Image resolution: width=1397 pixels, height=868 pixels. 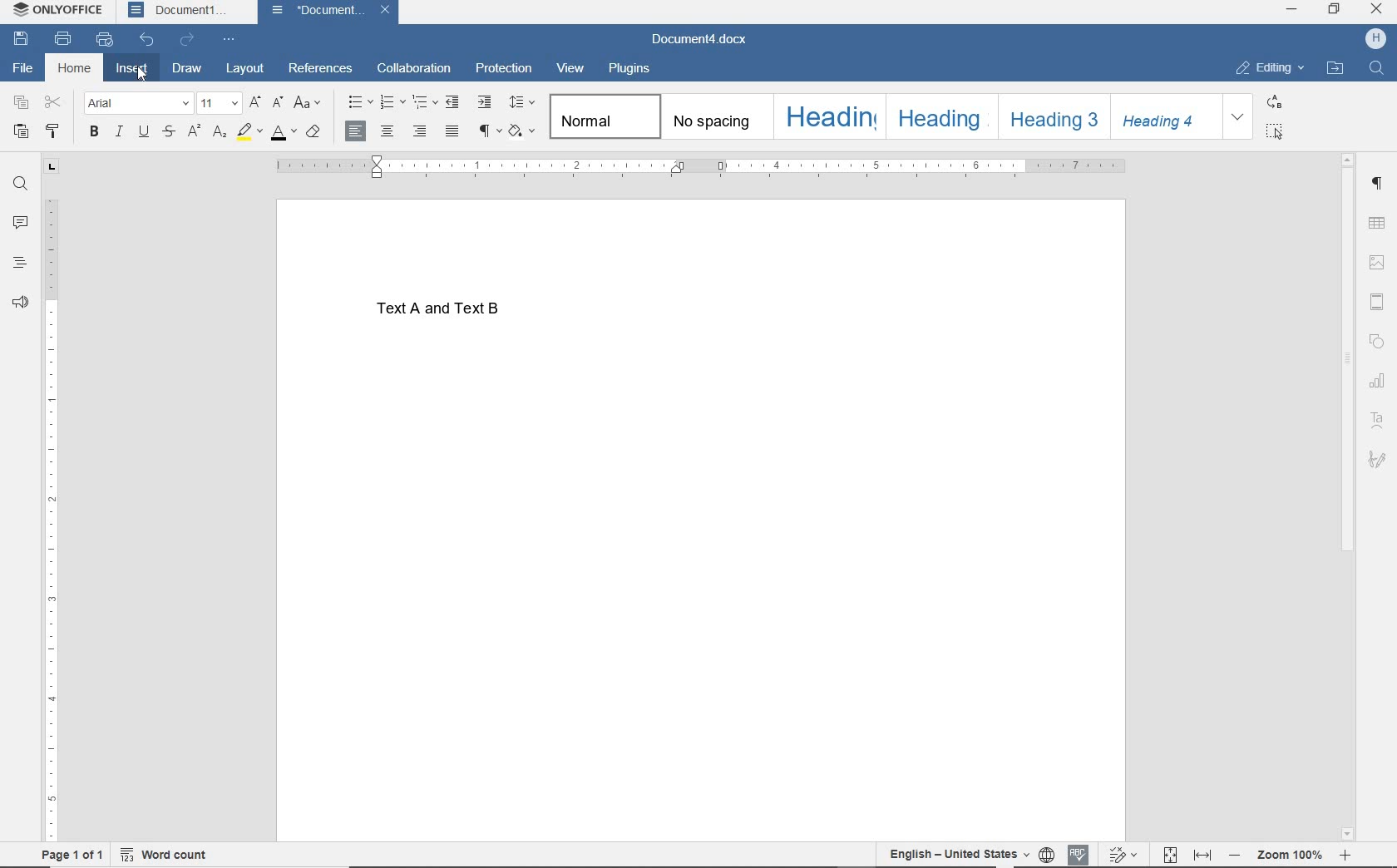 What do you see at coordinates (1377, 459) in the screenshot?
I see `sign` at bounding box center [1377, 459].